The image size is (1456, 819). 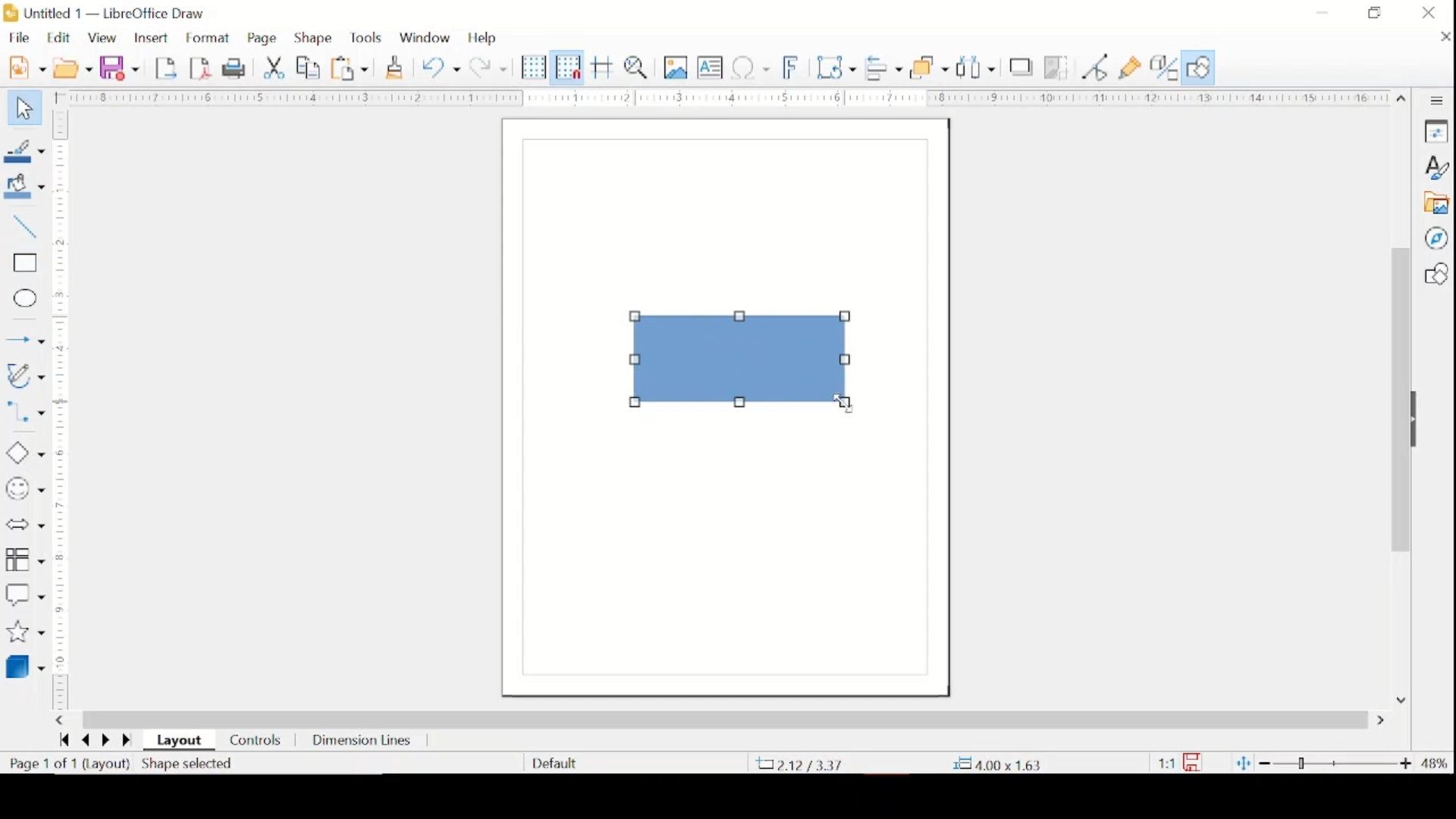 What do you see at coordinates (24, 526) in the screenshot?
I see `insert block arrow` at bounding box center [24, 526].